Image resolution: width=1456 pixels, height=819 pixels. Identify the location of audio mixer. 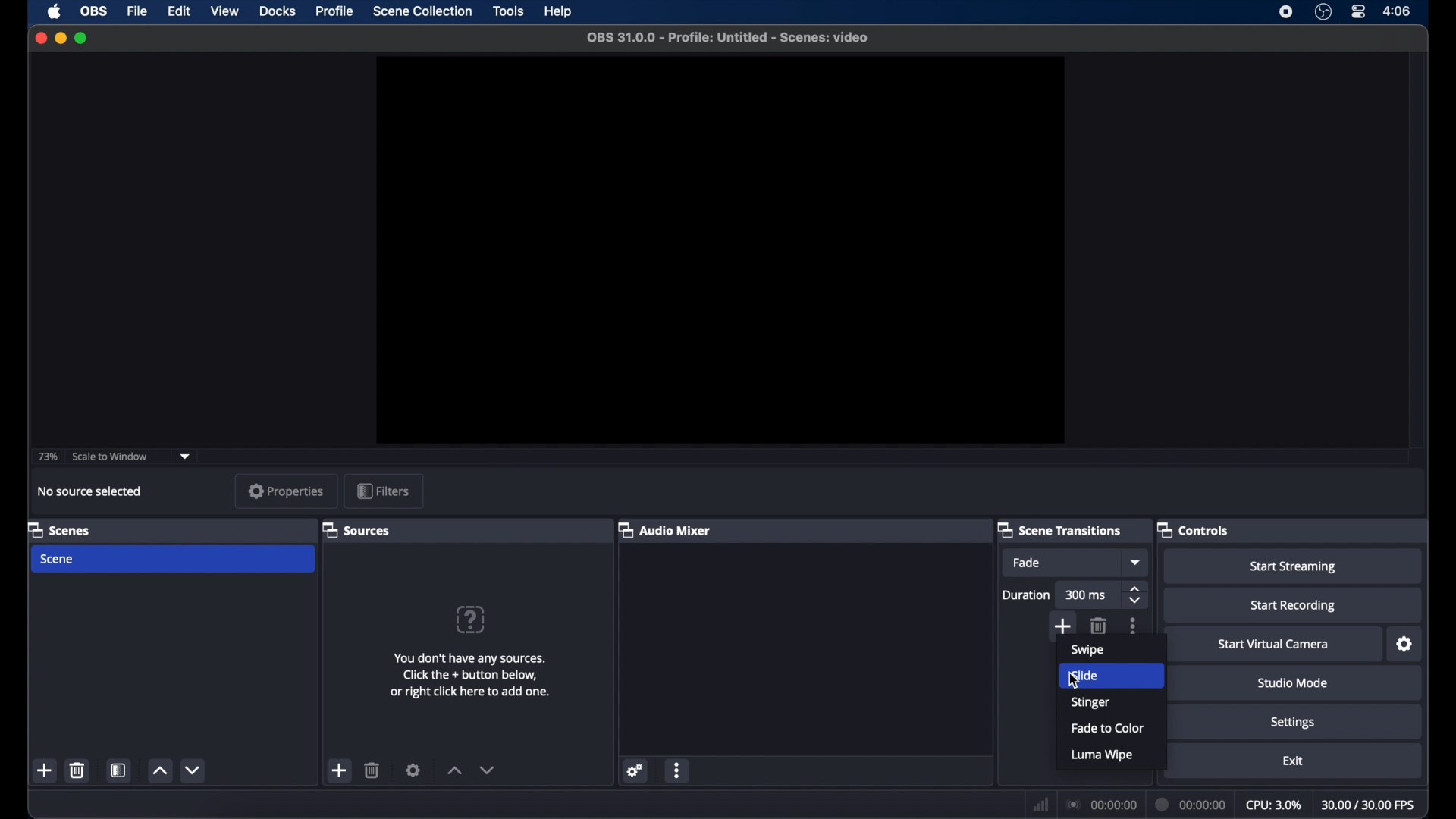
(668, 531).